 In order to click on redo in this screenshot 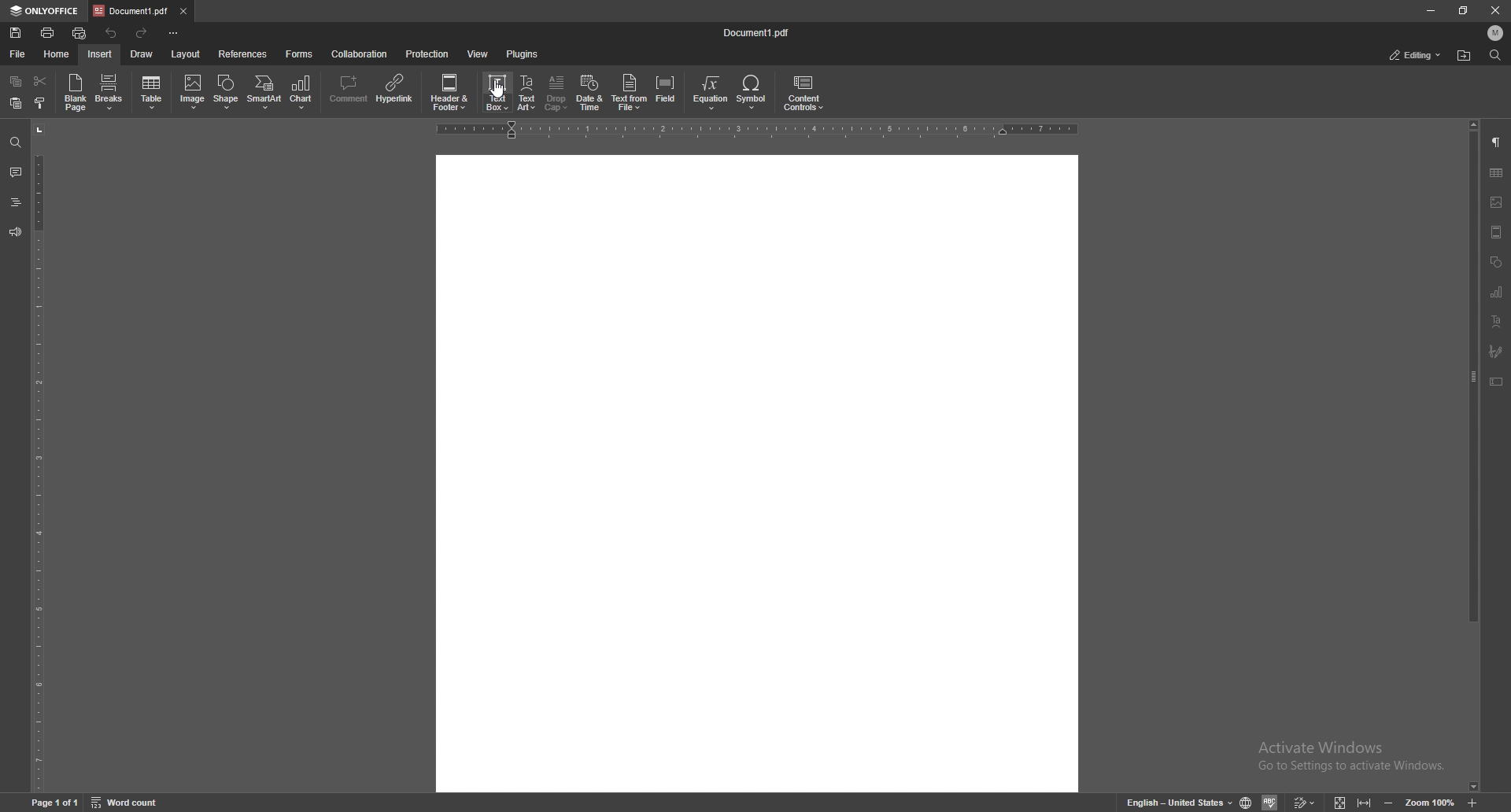, I will do `click(144, 34)`.